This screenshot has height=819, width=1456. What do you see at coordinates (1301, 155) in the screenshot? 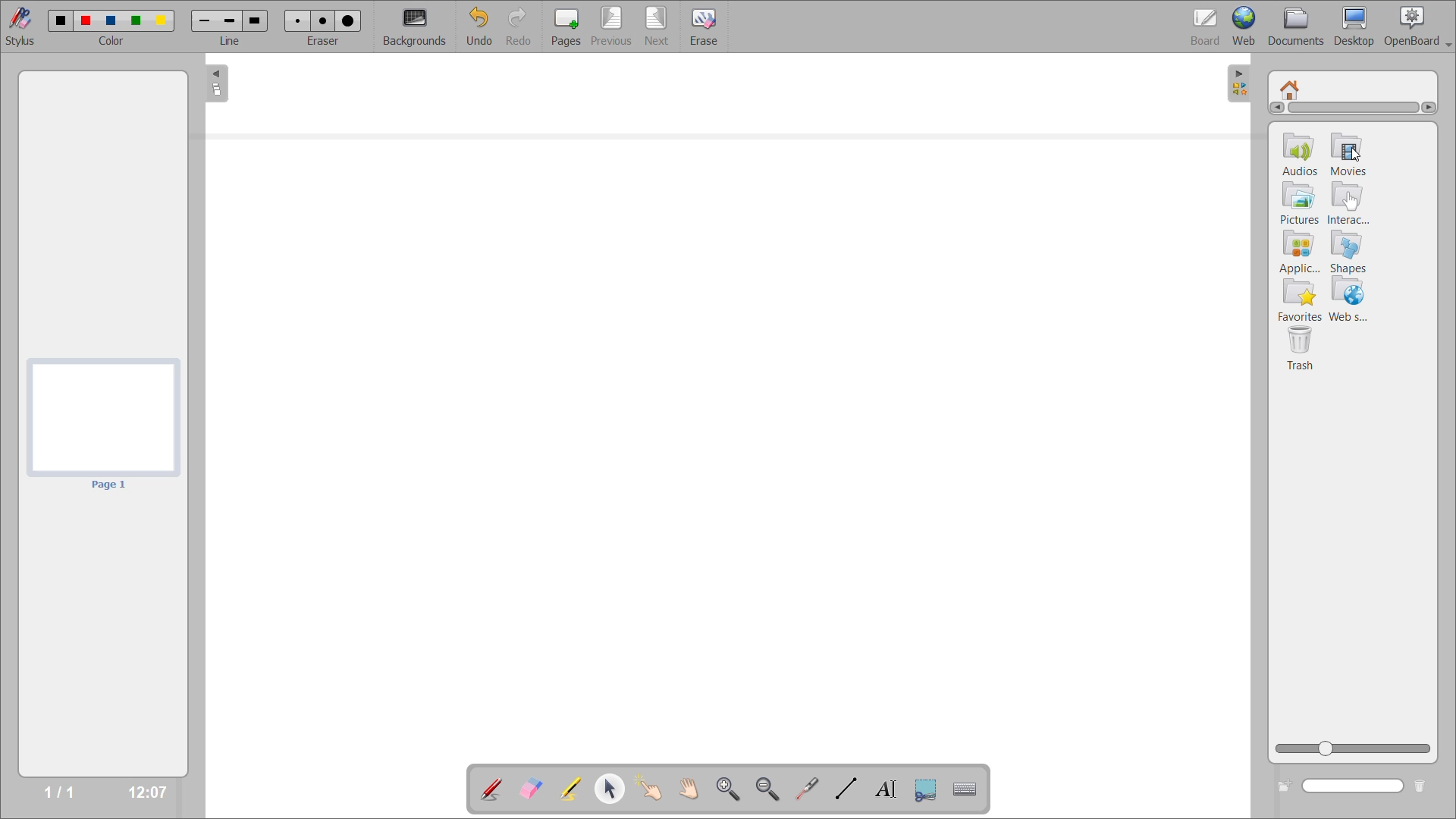
I see `audios` at bounding box center [1301, 155].